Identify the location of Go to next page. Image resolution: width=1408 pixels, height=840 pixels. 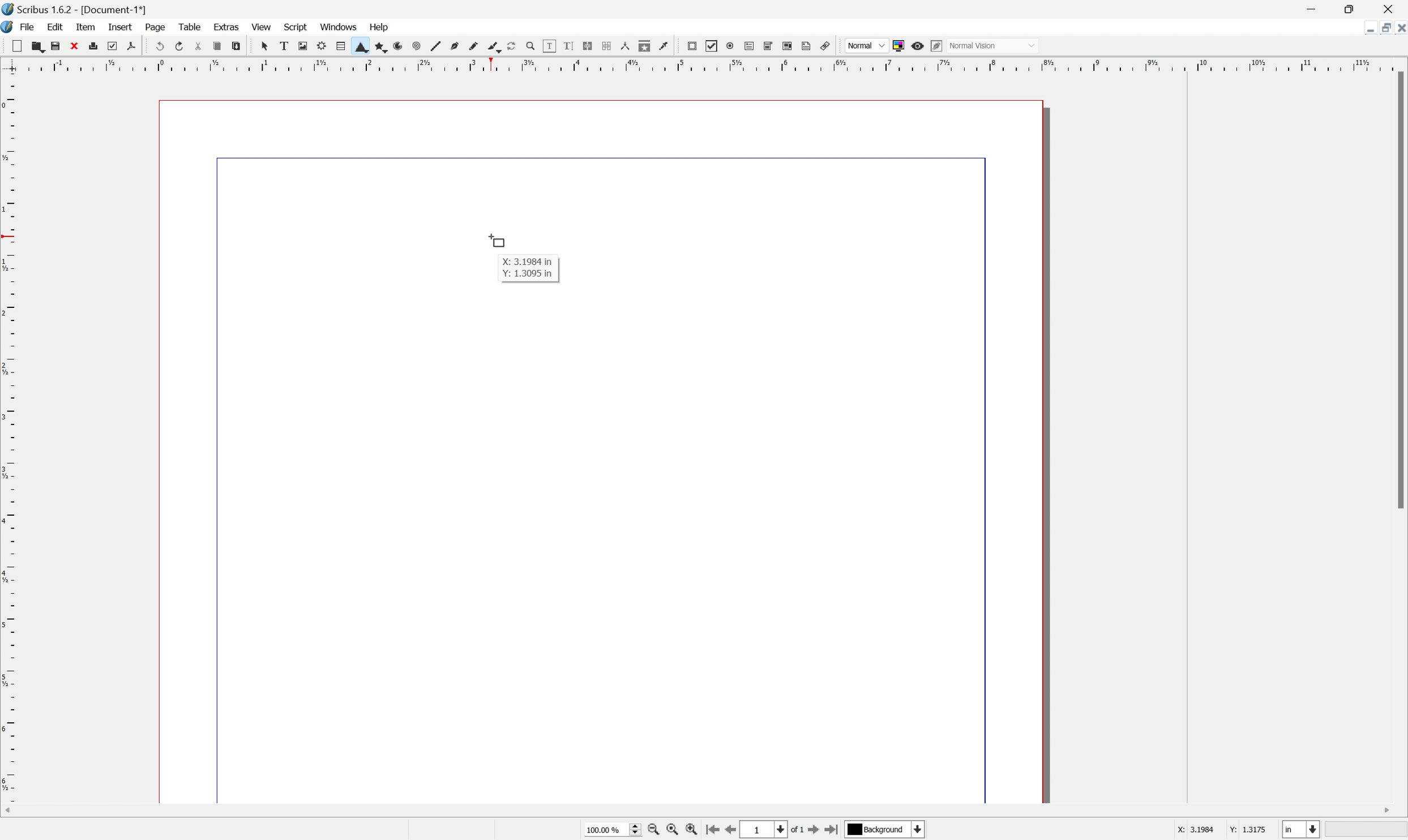
(814, 830).